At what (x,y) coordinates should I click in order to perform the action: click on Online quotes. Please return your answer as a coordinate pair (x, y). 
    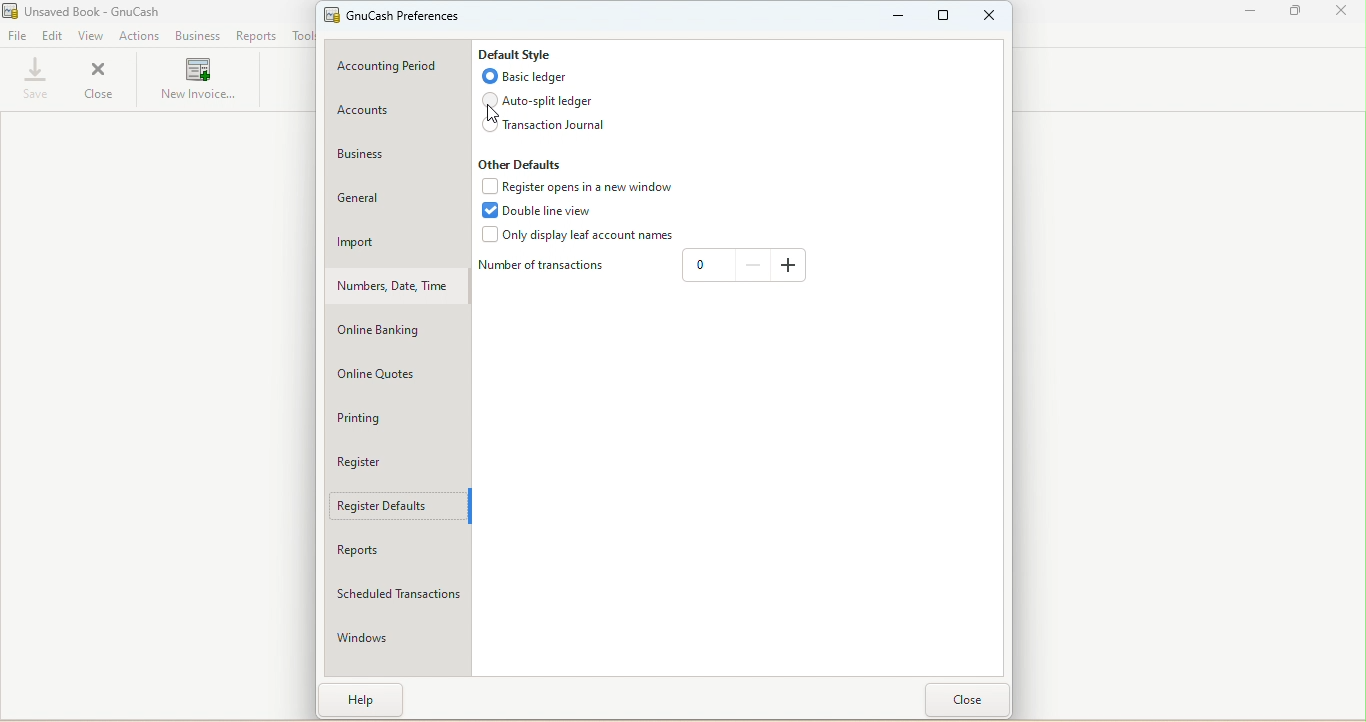
    Looking at the image, I should click on (396, 375).